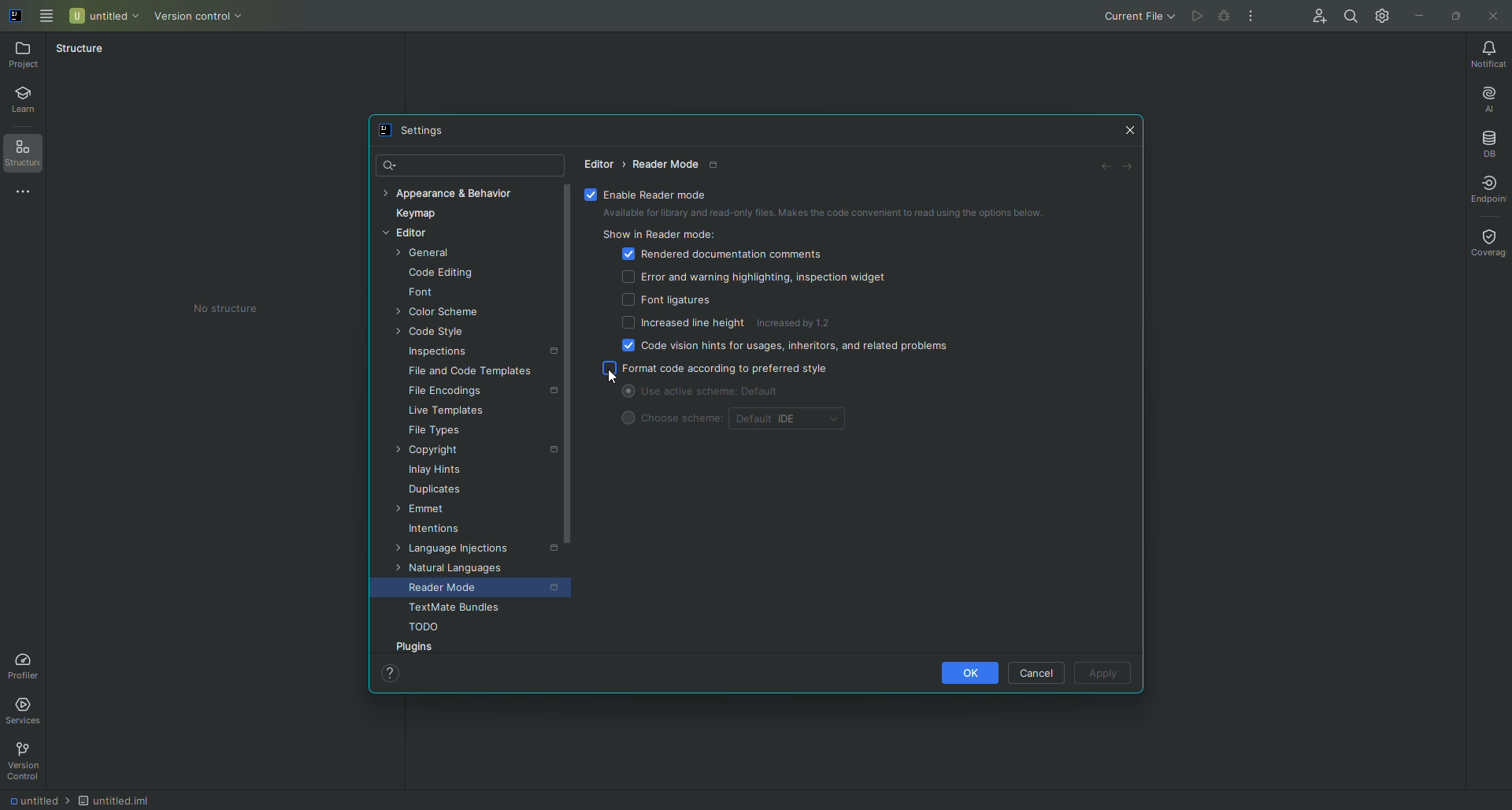 Image resolution: width=1512 pixels, height=810 pixels. What do you see at coordinates (819, 214) in the screenshot?
I see `Available for library and read-only` at bounding box center [819, 214].